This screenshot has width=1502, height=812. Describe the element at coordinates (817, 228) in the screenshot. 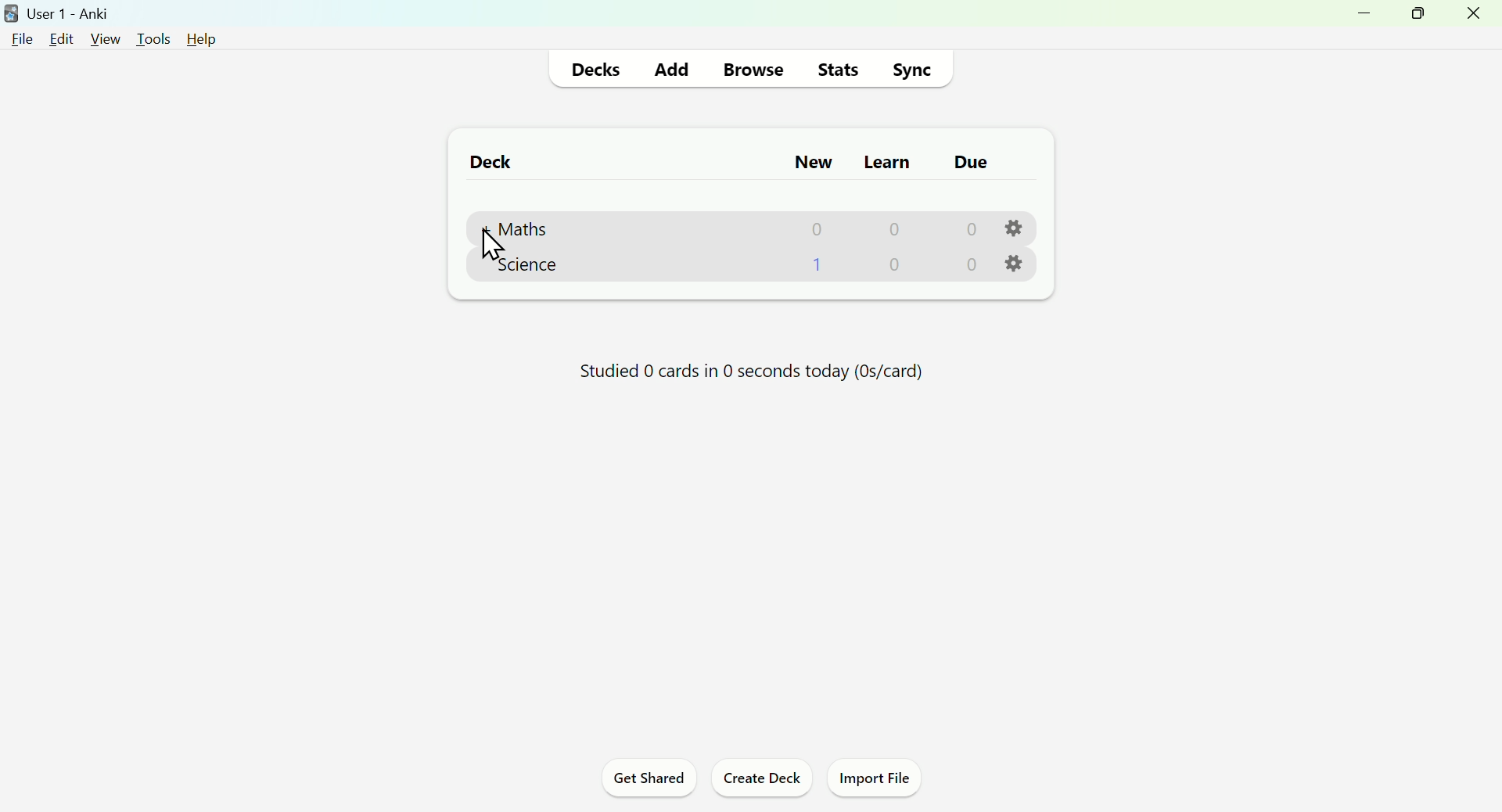

I see `0` at that location.